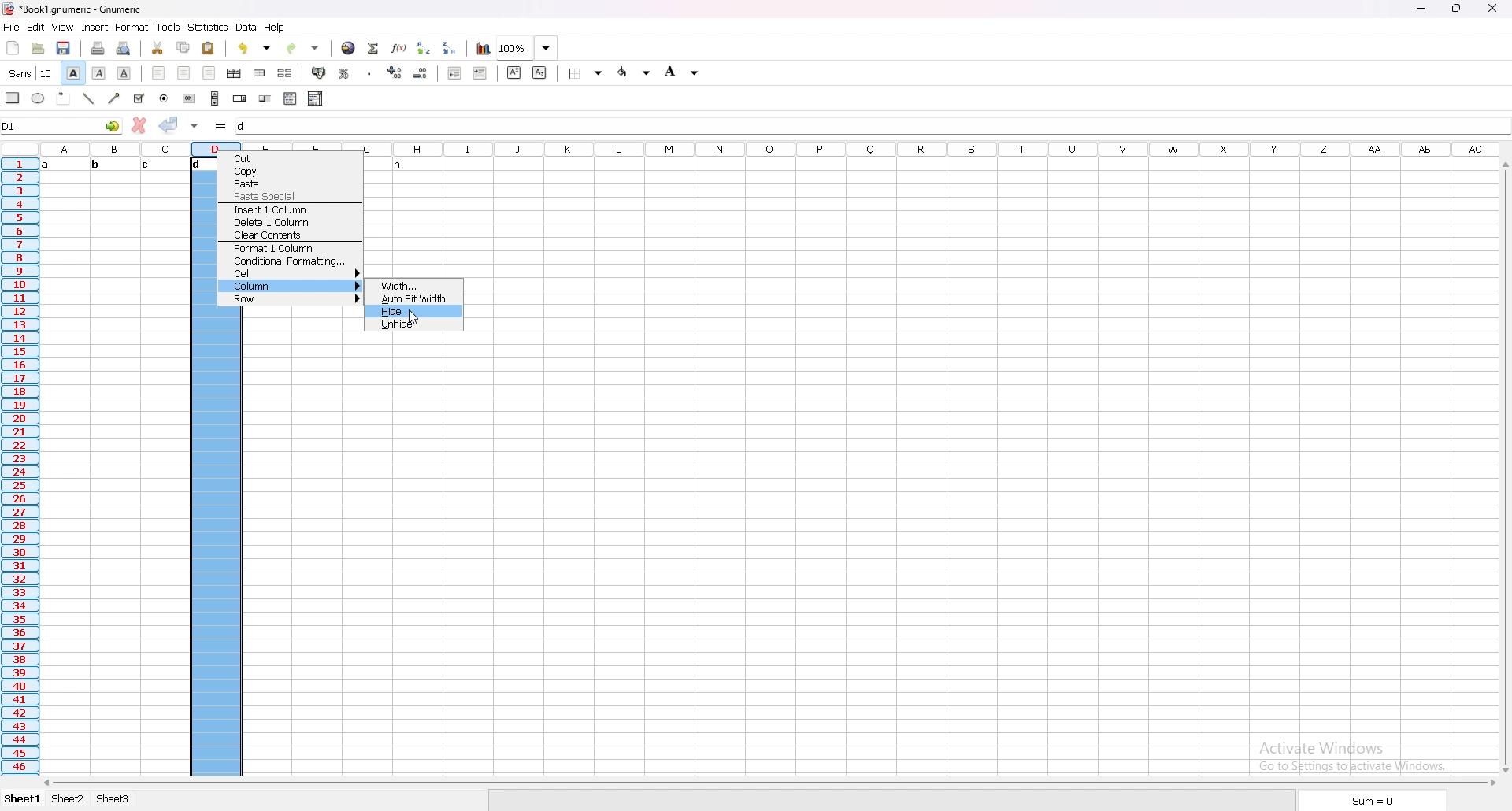 The width and height of the screenshot is (1512, 811). Describe the element at coordinates (184, 72) in the screenshot. I see `centre` at that location.